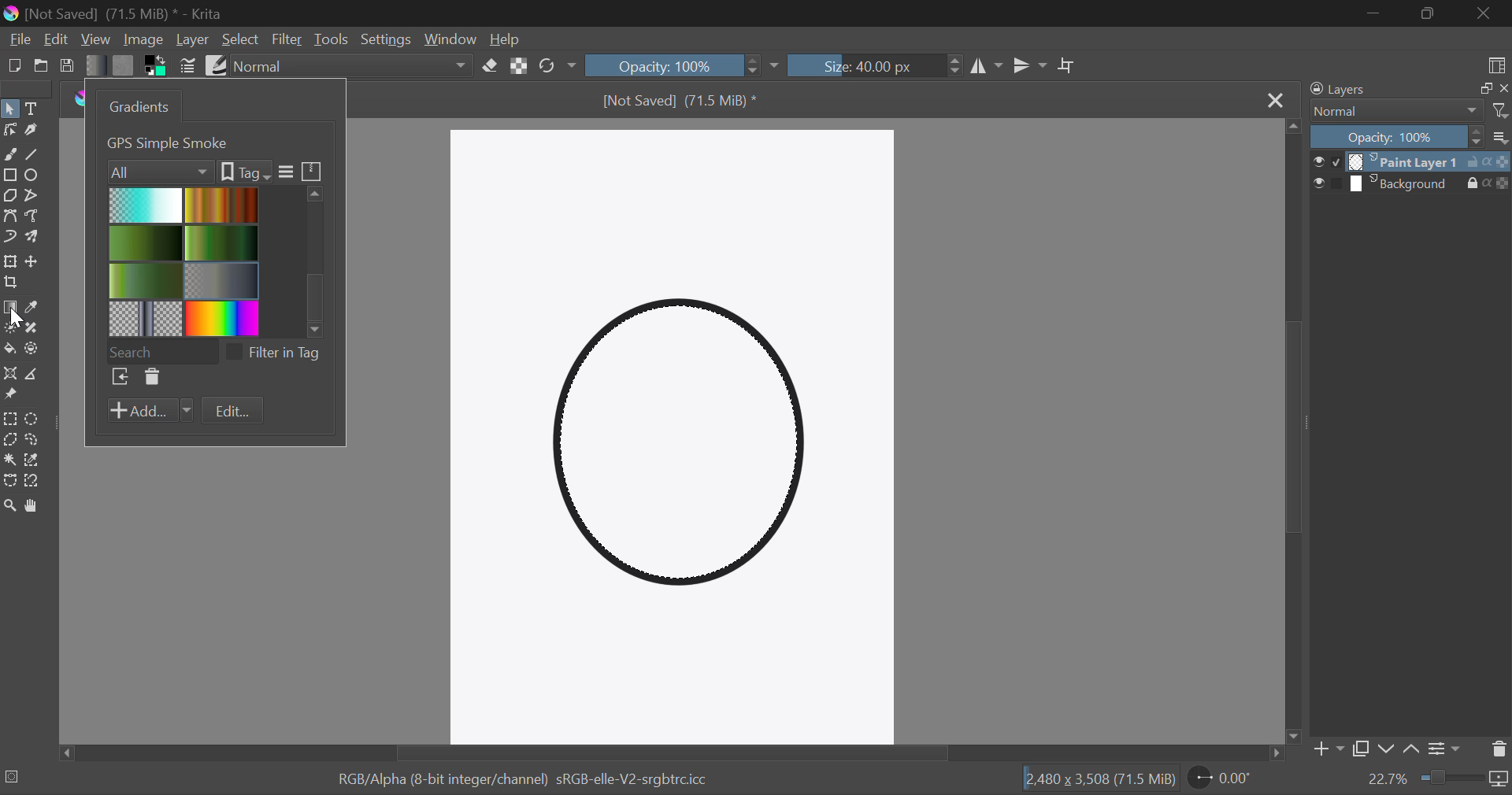 This screenshot has height=795, width=1512. What do you see at coordinates (1362, 749) in the screenshot?
I see `Copy Layer` at bounding box center [1362, 749].